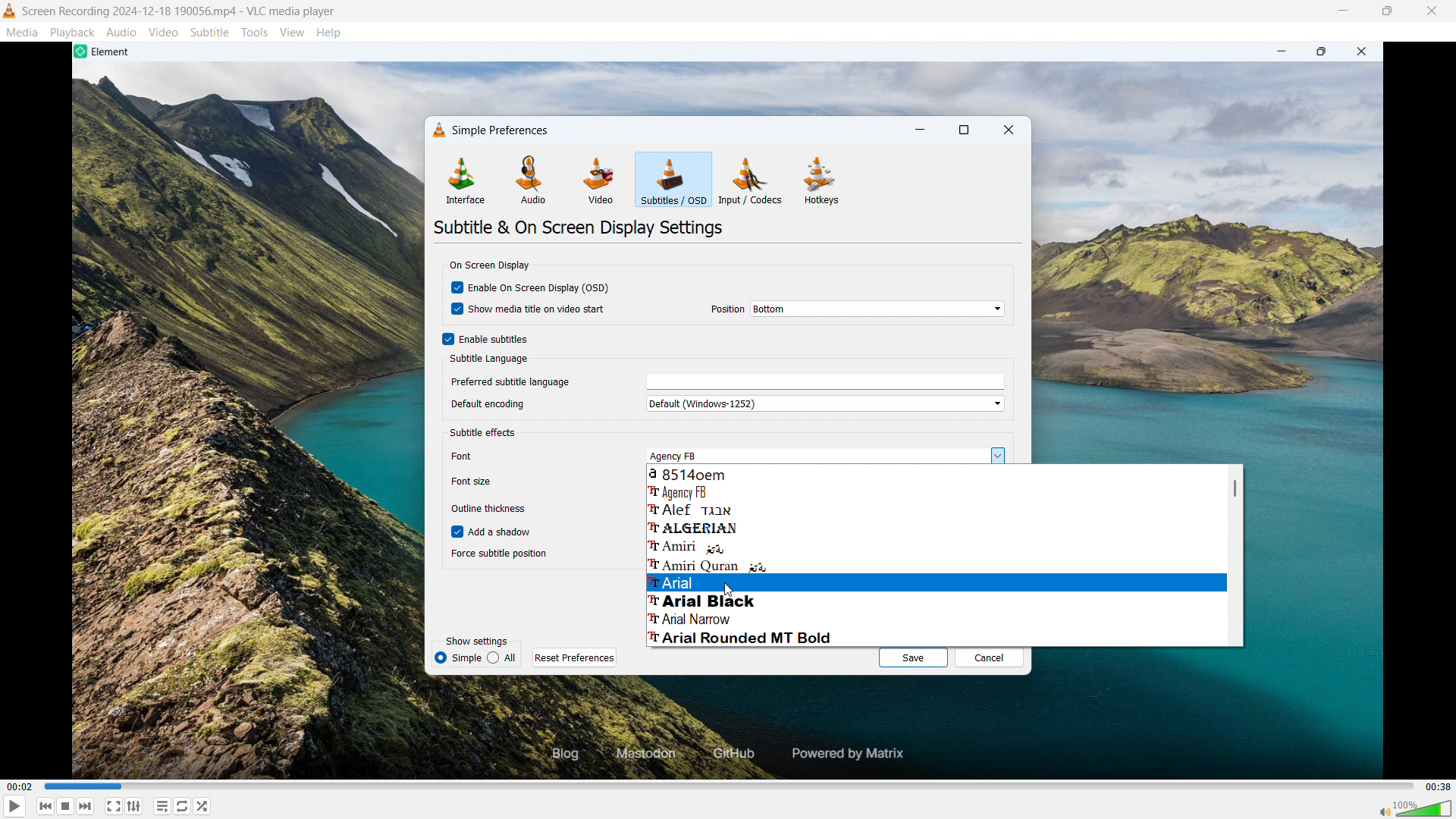 The width and height of the screenshot is (1456, 819). Describe the element at coordinates (179, 12) in the screenshot. I see `file name` at that location.